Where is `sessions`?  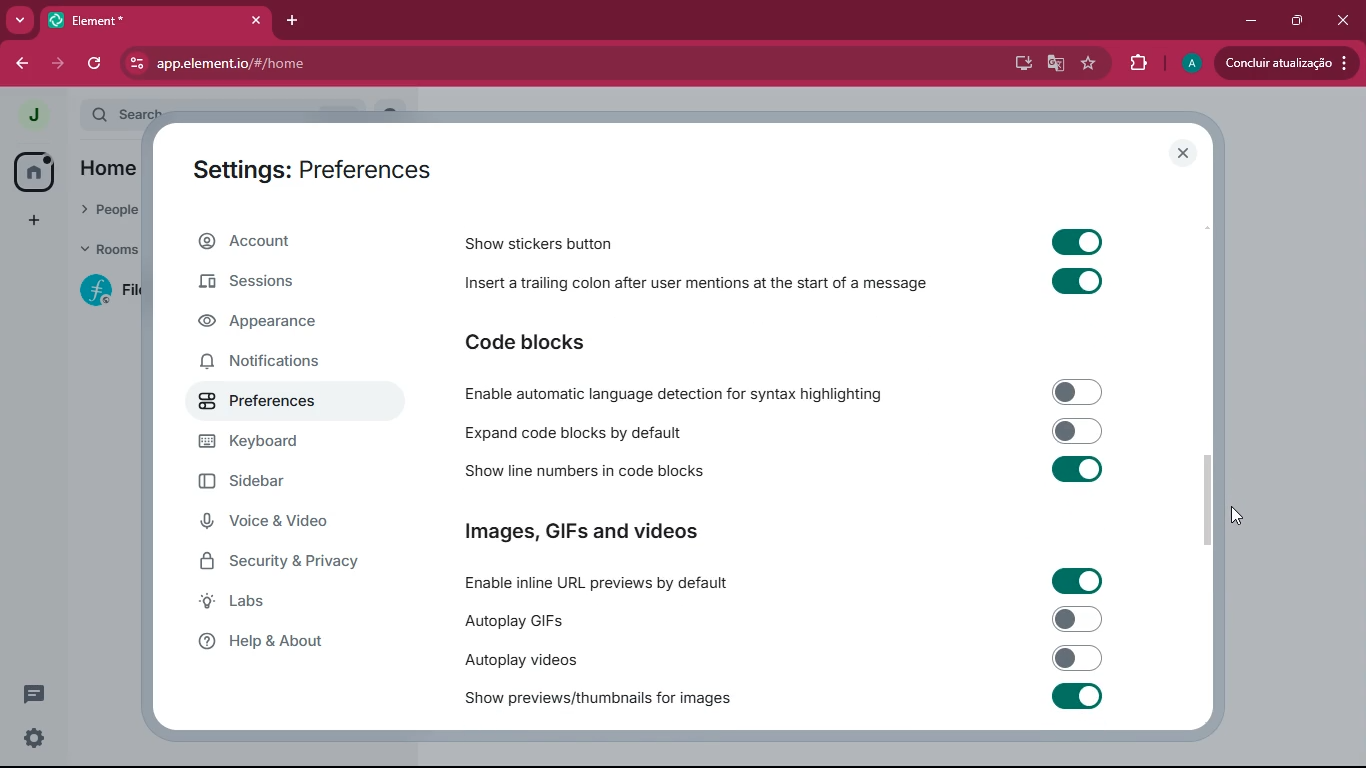 sessions is located at coordinates (272, 284).